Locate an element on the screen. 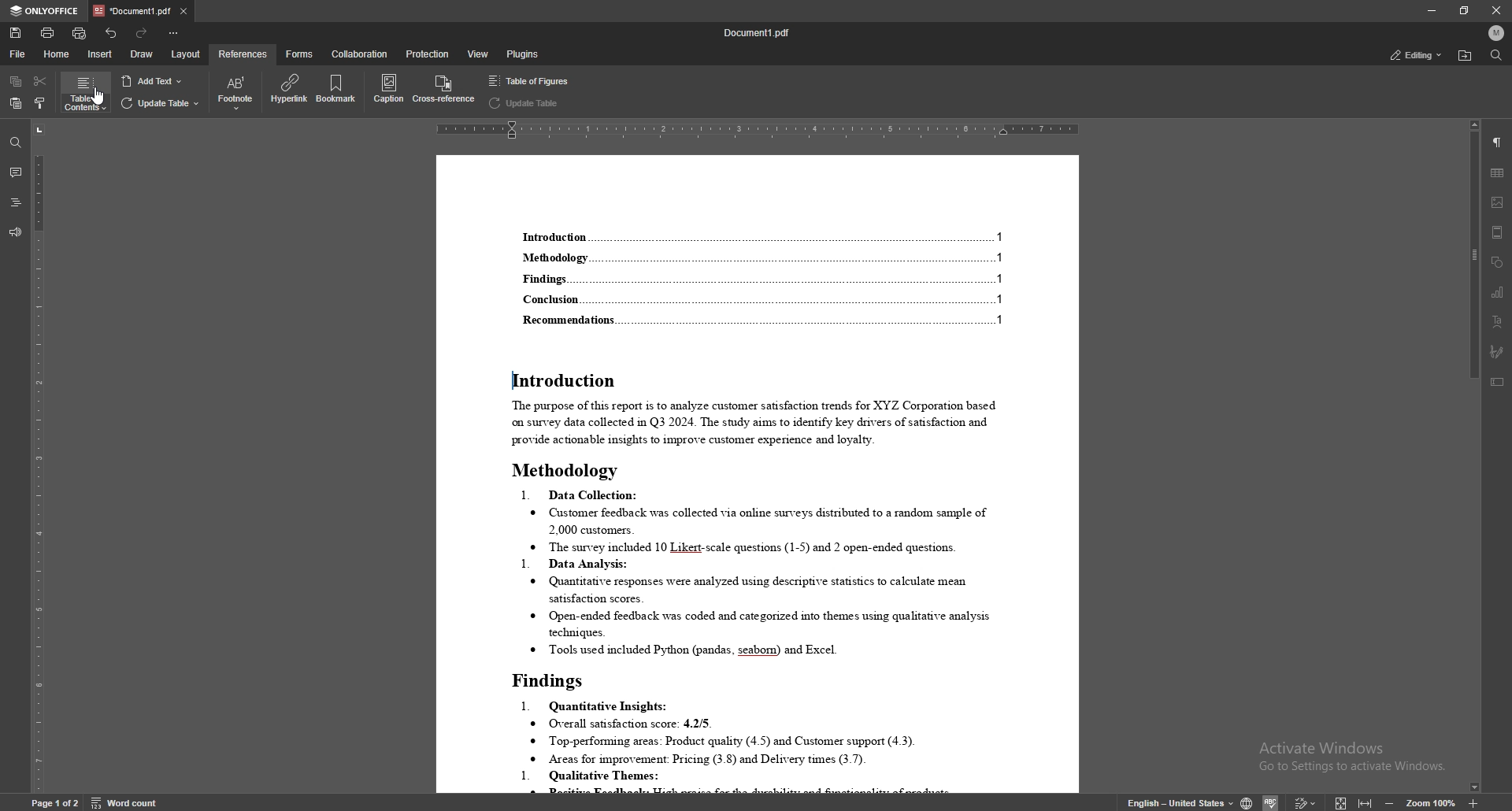 This screenshot has width=1512, height=811. change doc language is located at coordinates (1246, 803).